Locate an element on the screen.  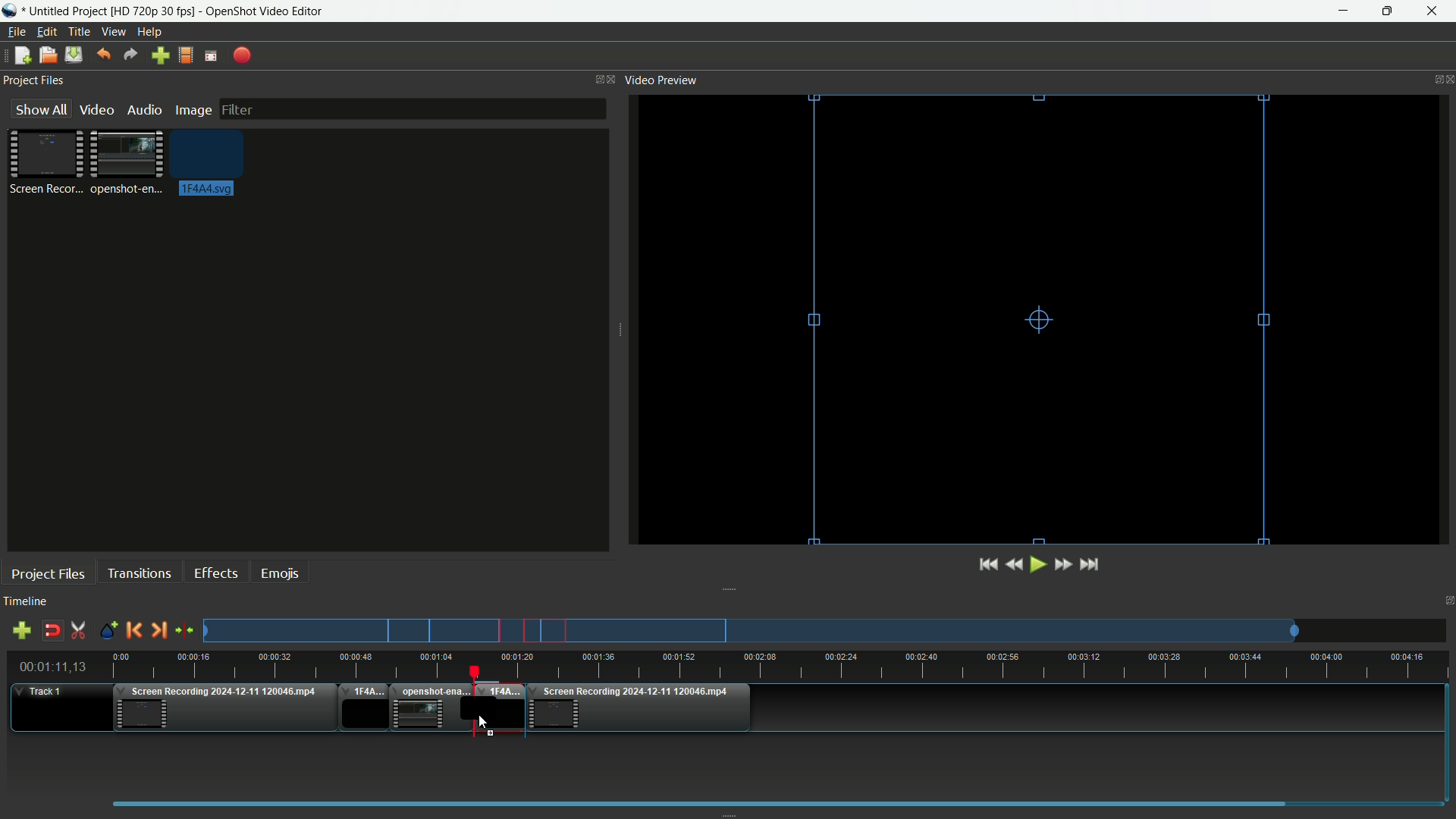
Jump to start is located at coordinates (986, 565).